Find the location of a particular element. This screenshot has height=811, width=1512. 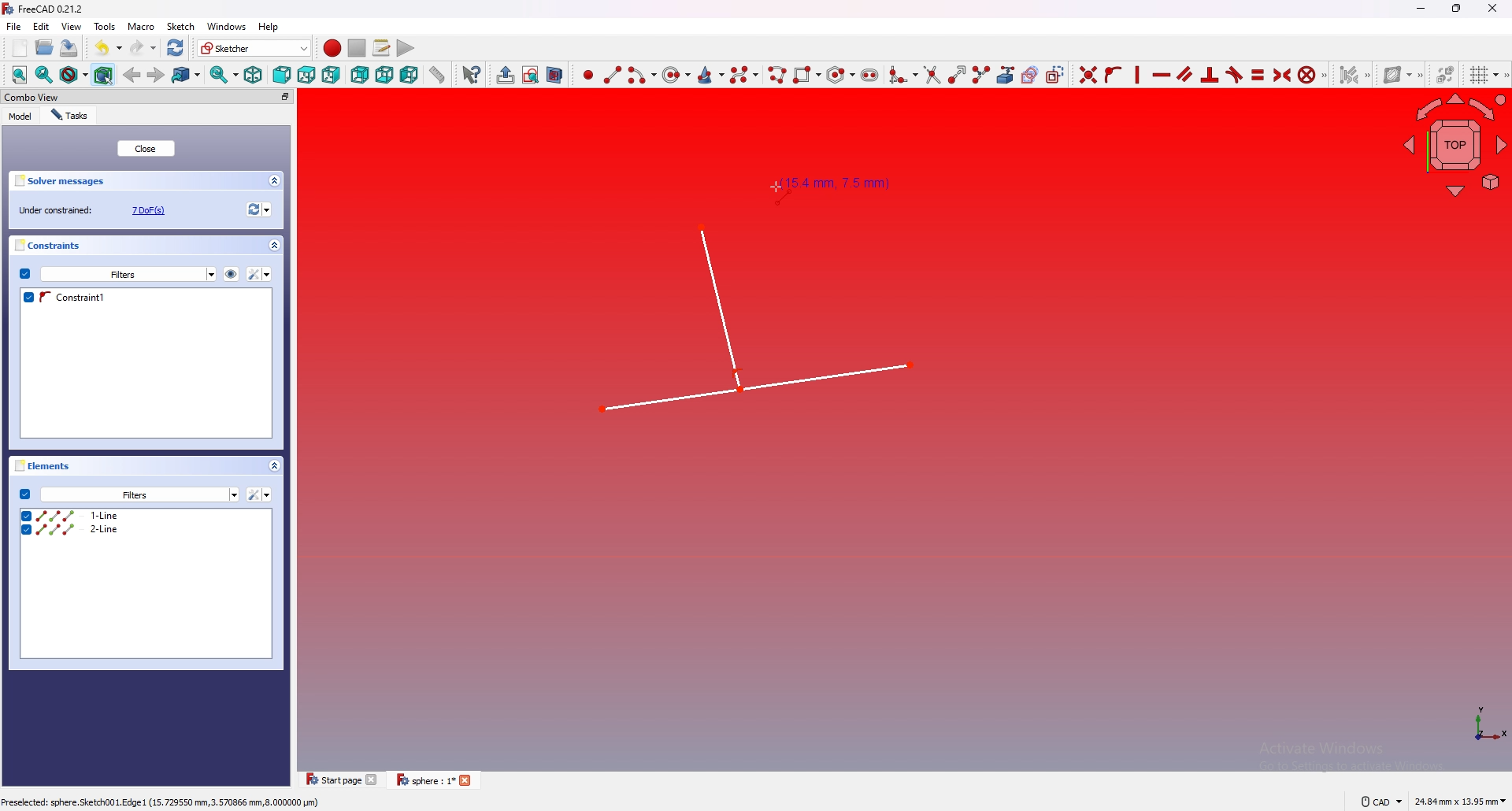

Fit all is located at coordinates (16, 75).